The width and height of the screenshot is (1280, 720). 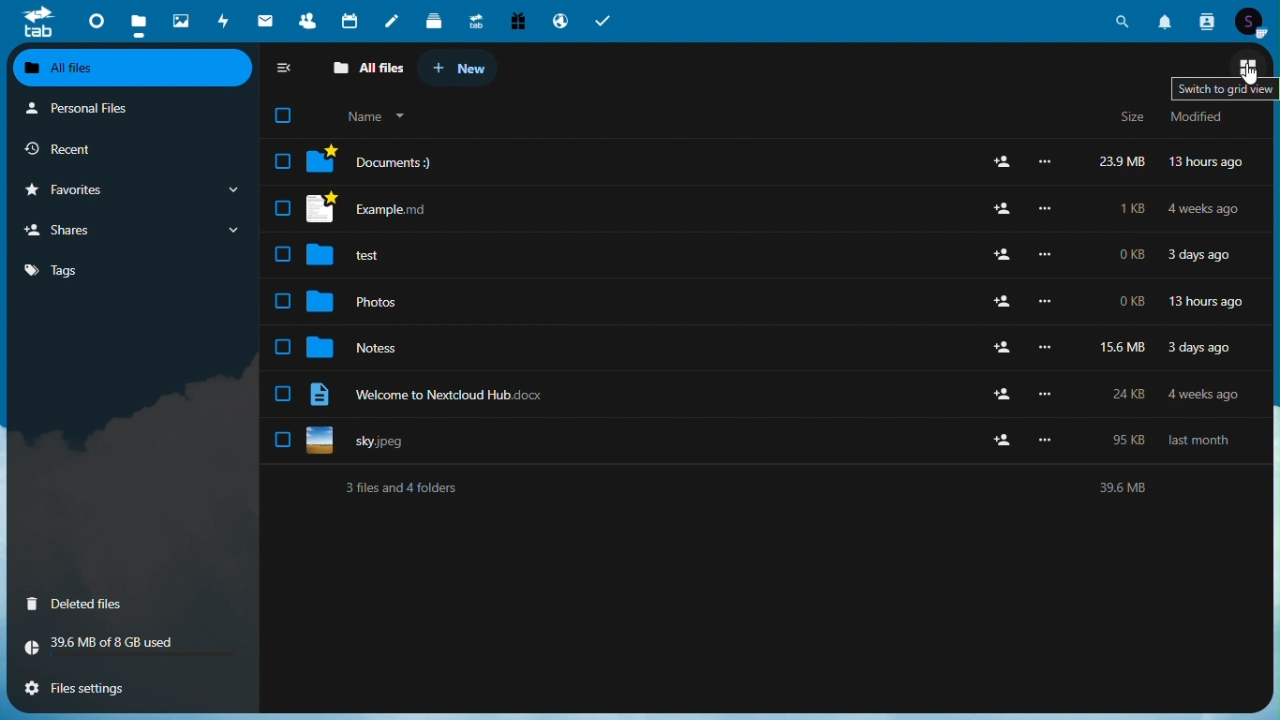 What do you see at coordinates (1120, 163) in the screenshot?
I see `23.9 mb` at bounding box center [1120, 163].